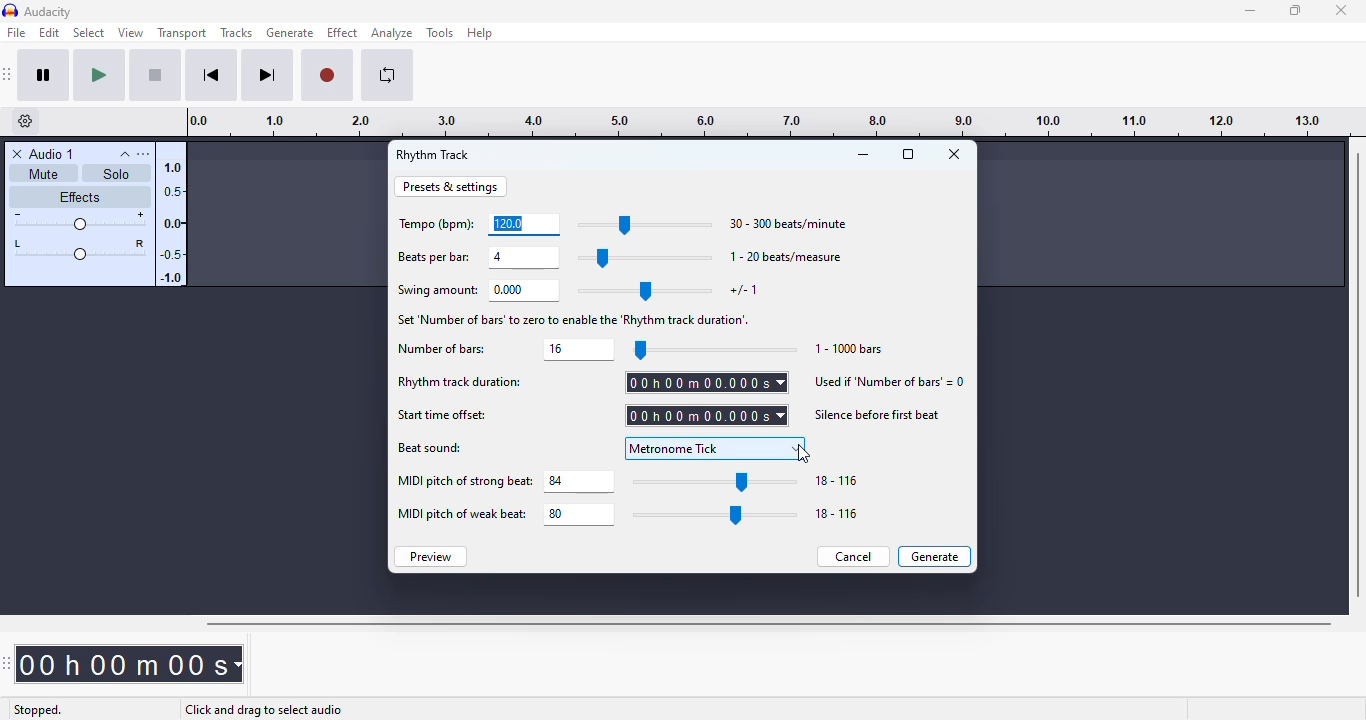  What do you see at coordinates (954, 153) in the screenshot?
I see `close` at bounding box center [954, 153].